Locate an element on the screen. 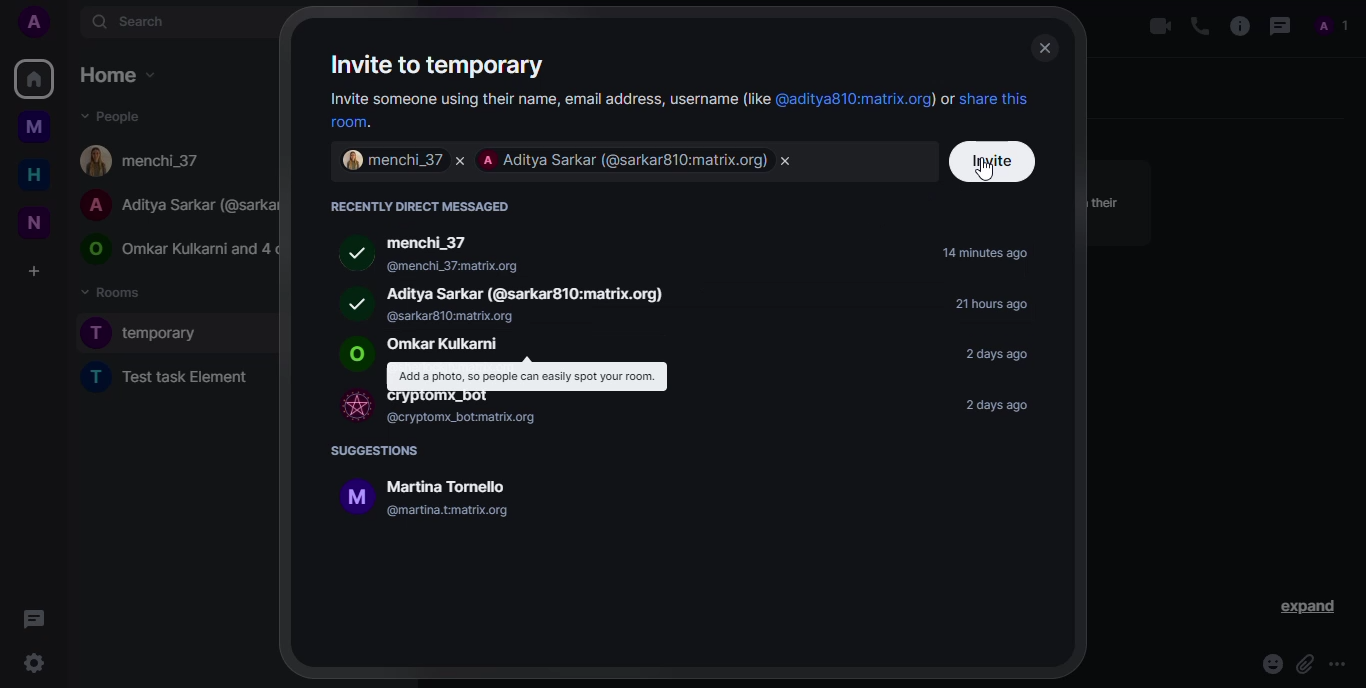  video call is located at coordinates (1150, 27).